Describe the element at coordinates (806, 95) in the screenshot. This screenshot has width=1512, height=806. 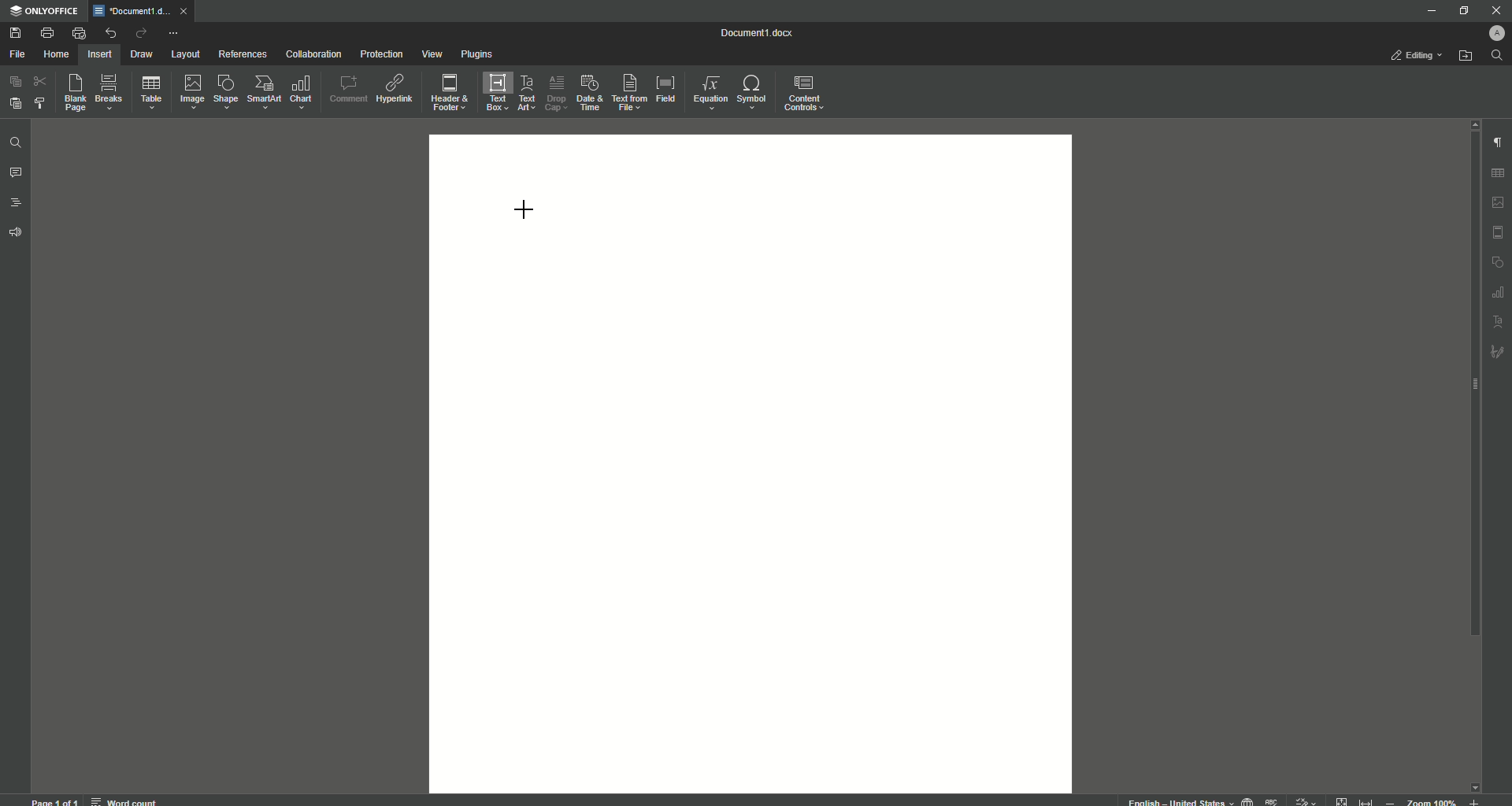
I see `Content Controls` at that location.